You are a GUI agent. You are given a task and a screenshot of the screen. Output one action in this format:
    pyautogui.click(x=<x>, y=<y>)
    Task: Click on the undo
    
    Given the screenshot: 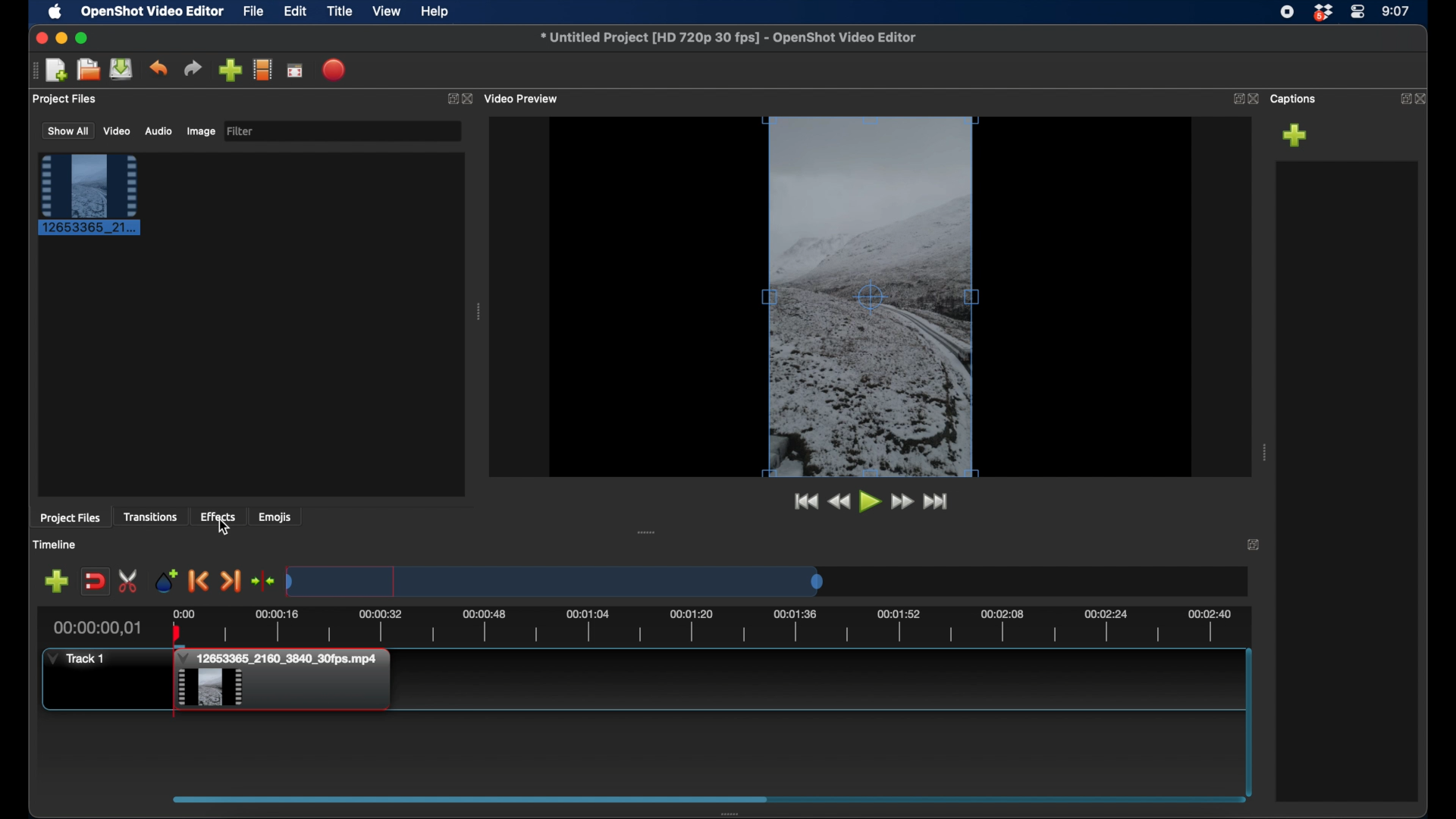 What is the action you would take?
    pyautogui.click(x=159, y=67)
    